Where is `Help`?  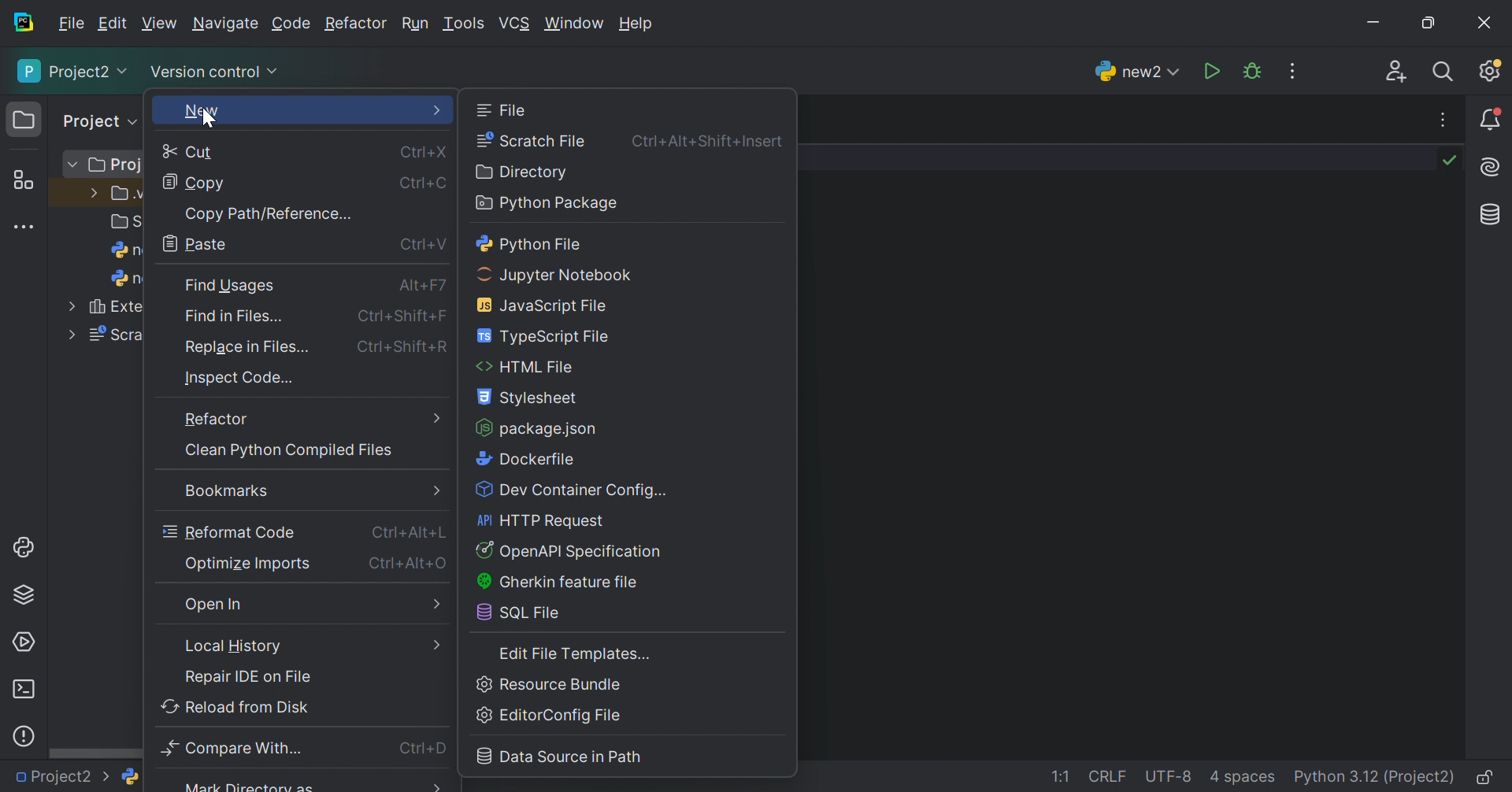 Help is located at coordinates (633, 21).